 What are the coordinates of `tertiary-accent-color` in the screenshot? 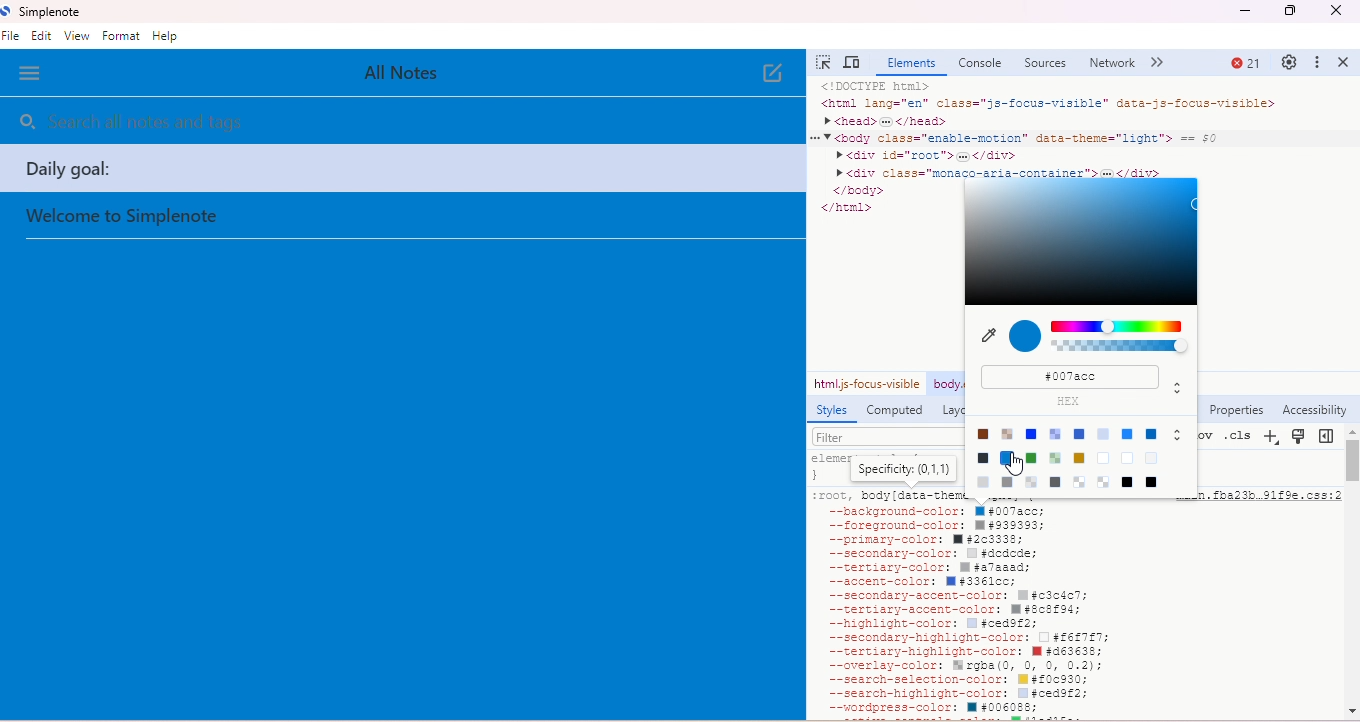 It's located at (950, 610).